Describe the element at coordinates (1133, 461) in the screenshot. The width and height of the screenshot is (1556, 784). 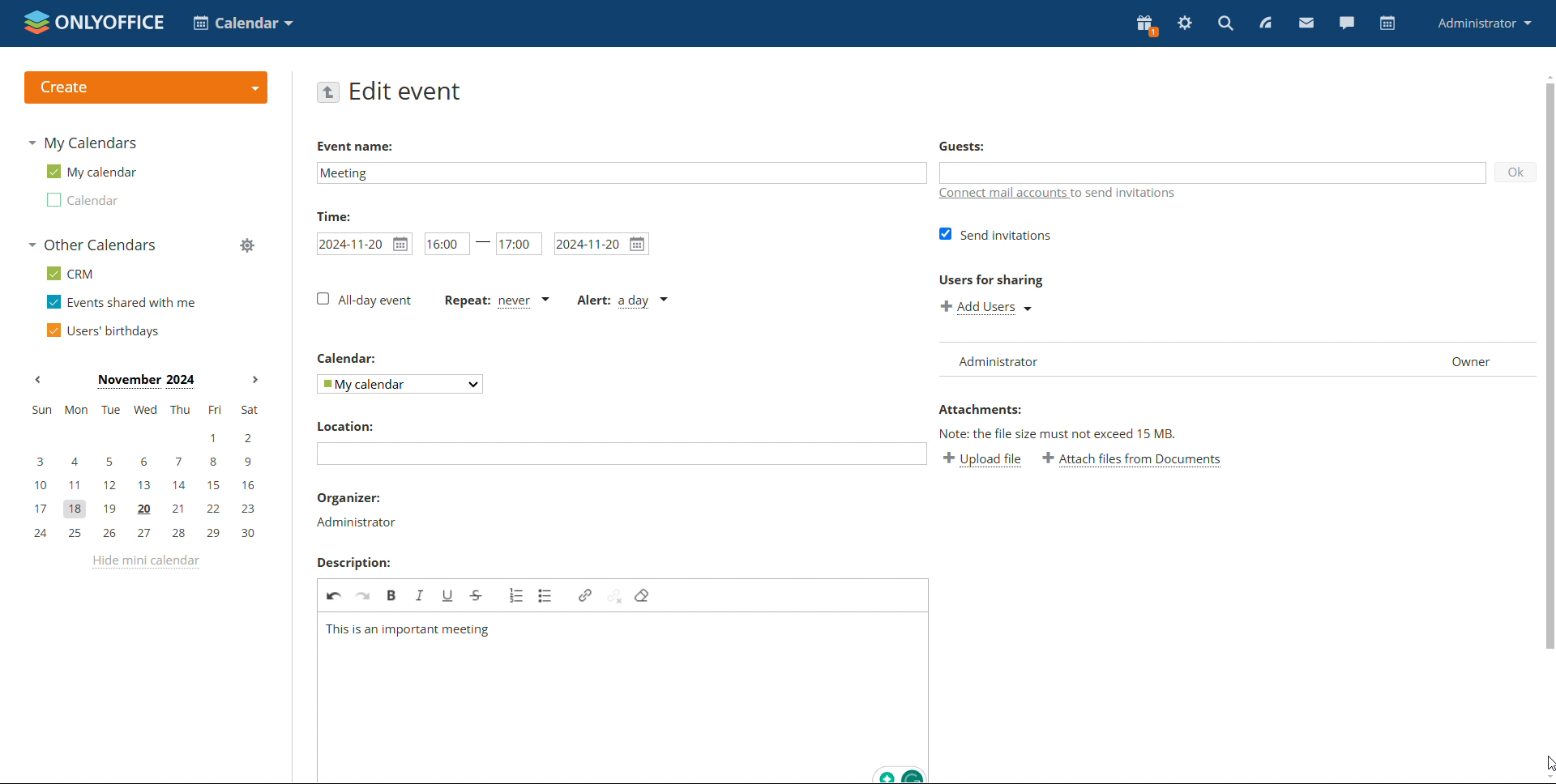
I see `attach file from documents` at that location.